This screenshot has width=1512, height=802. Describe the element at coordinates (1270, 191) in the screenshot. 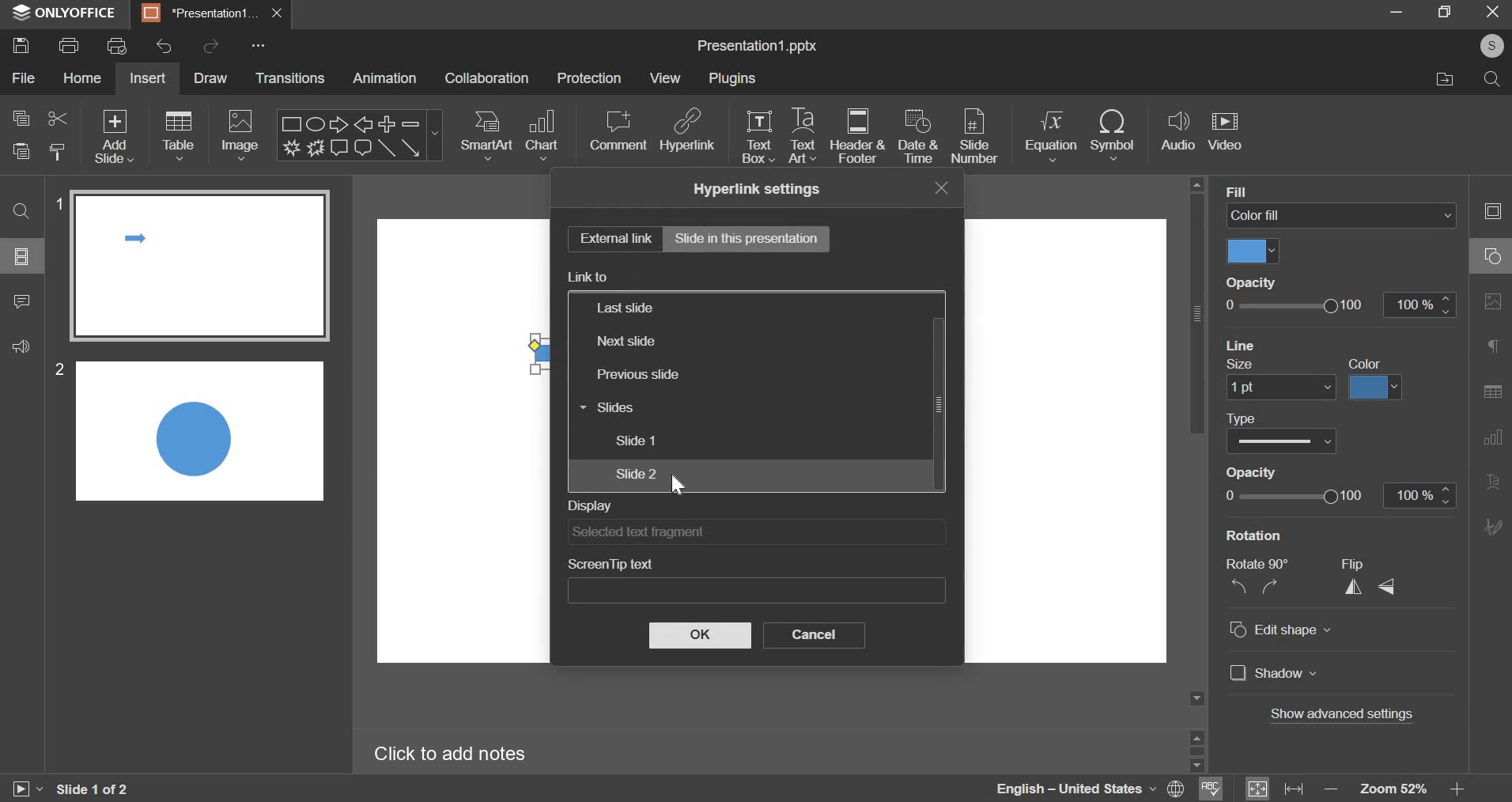

I see `background` at that location.